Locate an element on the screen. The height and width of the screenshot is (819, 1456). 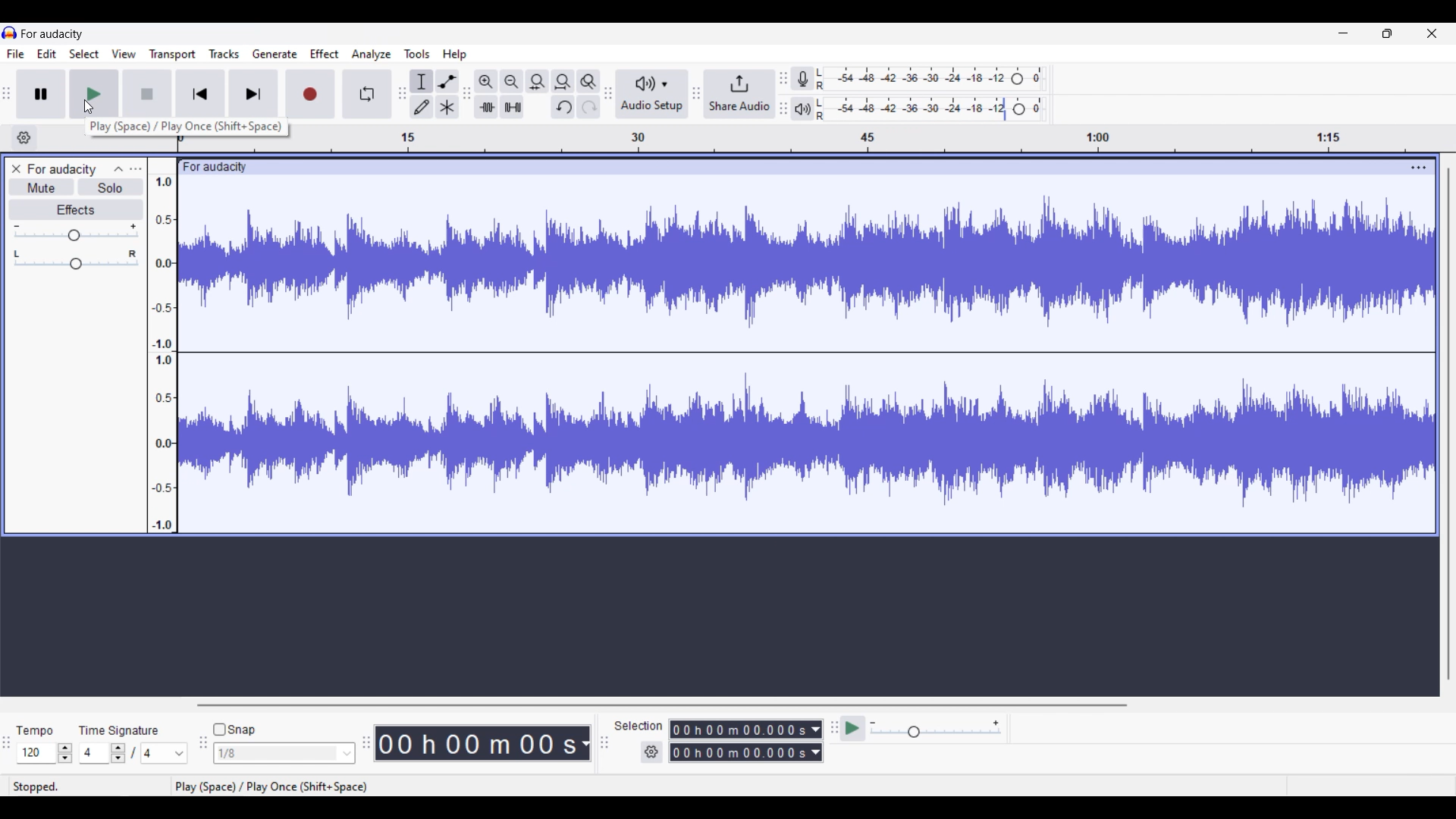
Zoom toggle is located at coordinates (588, 82).